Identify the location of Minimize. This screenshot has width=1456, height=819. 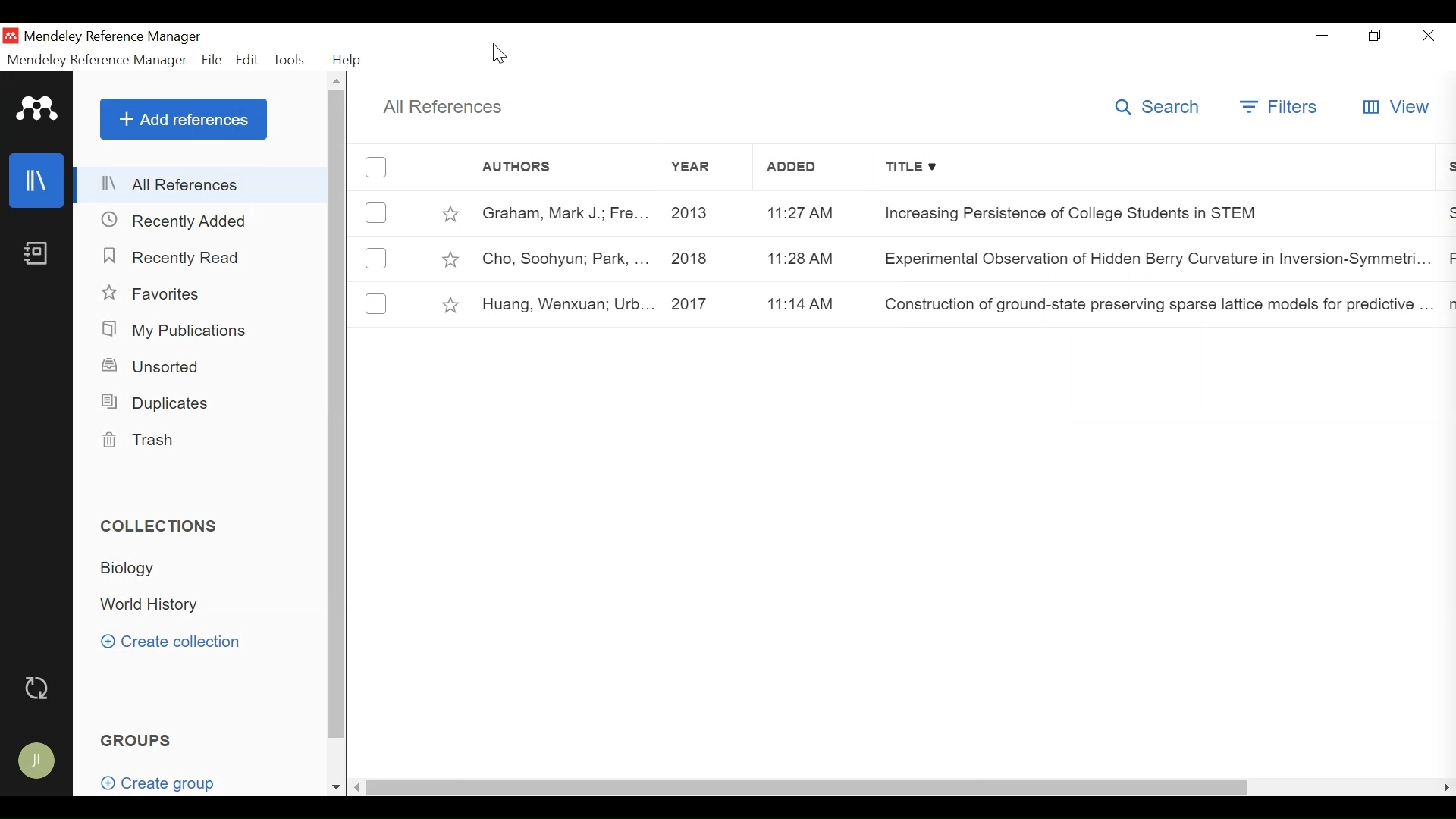
(1323, 35).